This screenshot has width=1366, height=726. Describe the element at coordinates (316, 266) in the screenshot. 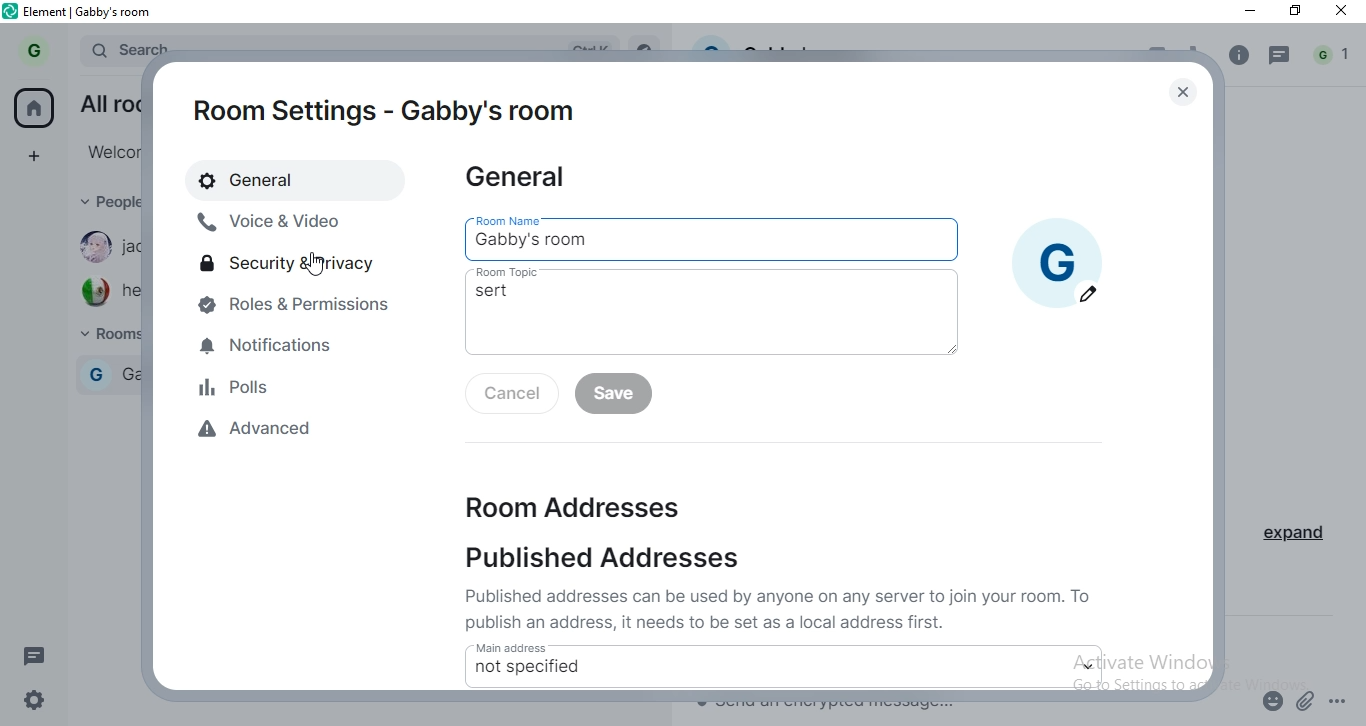

I see `cursor` at that location.